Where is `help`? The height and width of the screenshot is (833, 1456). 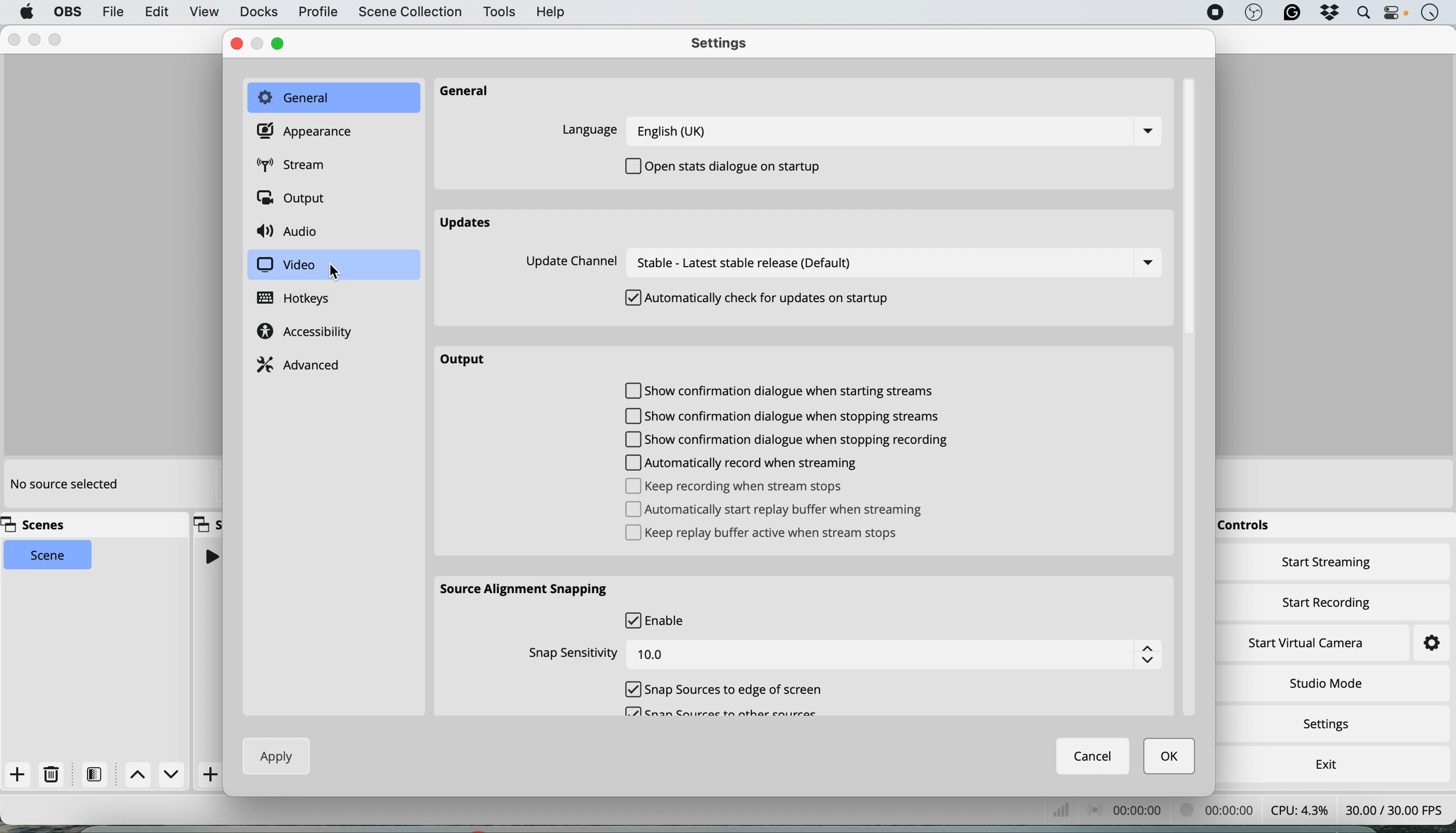 help is located at coordinates (552, 11).